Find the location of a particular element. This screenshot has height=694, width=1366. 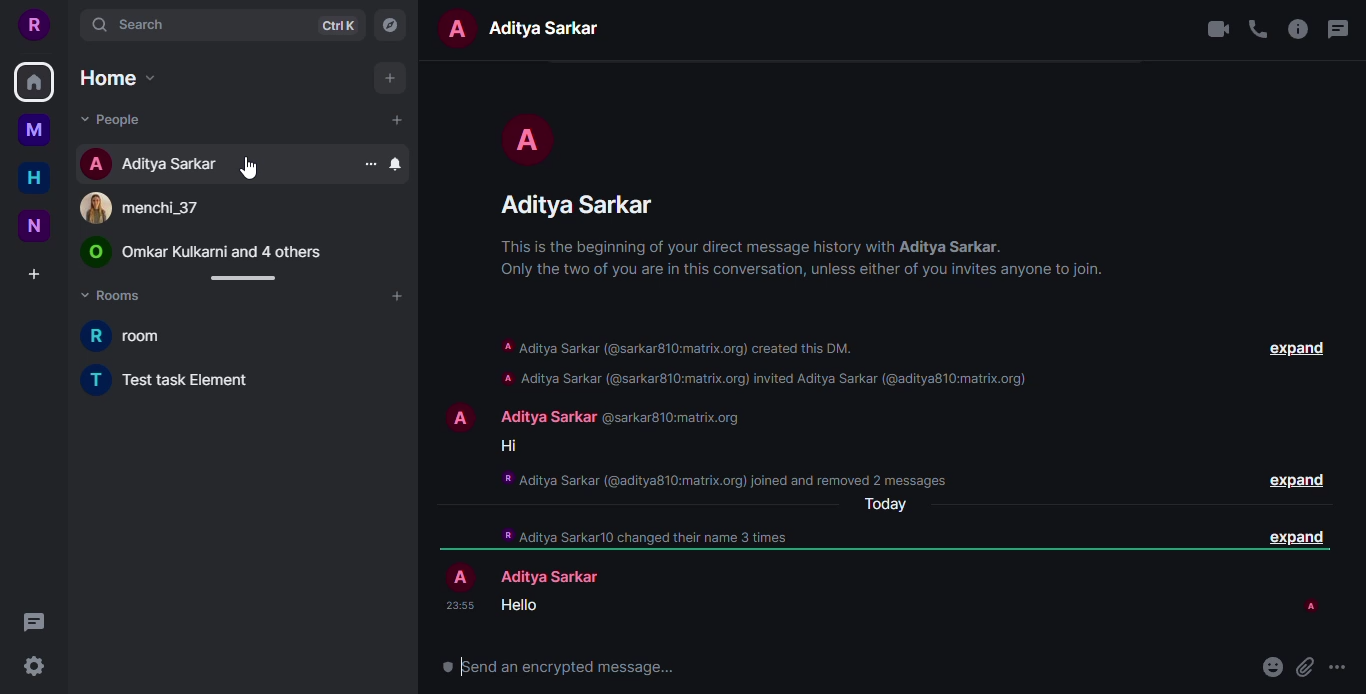

profile pic is located at coordinates (452, 24).